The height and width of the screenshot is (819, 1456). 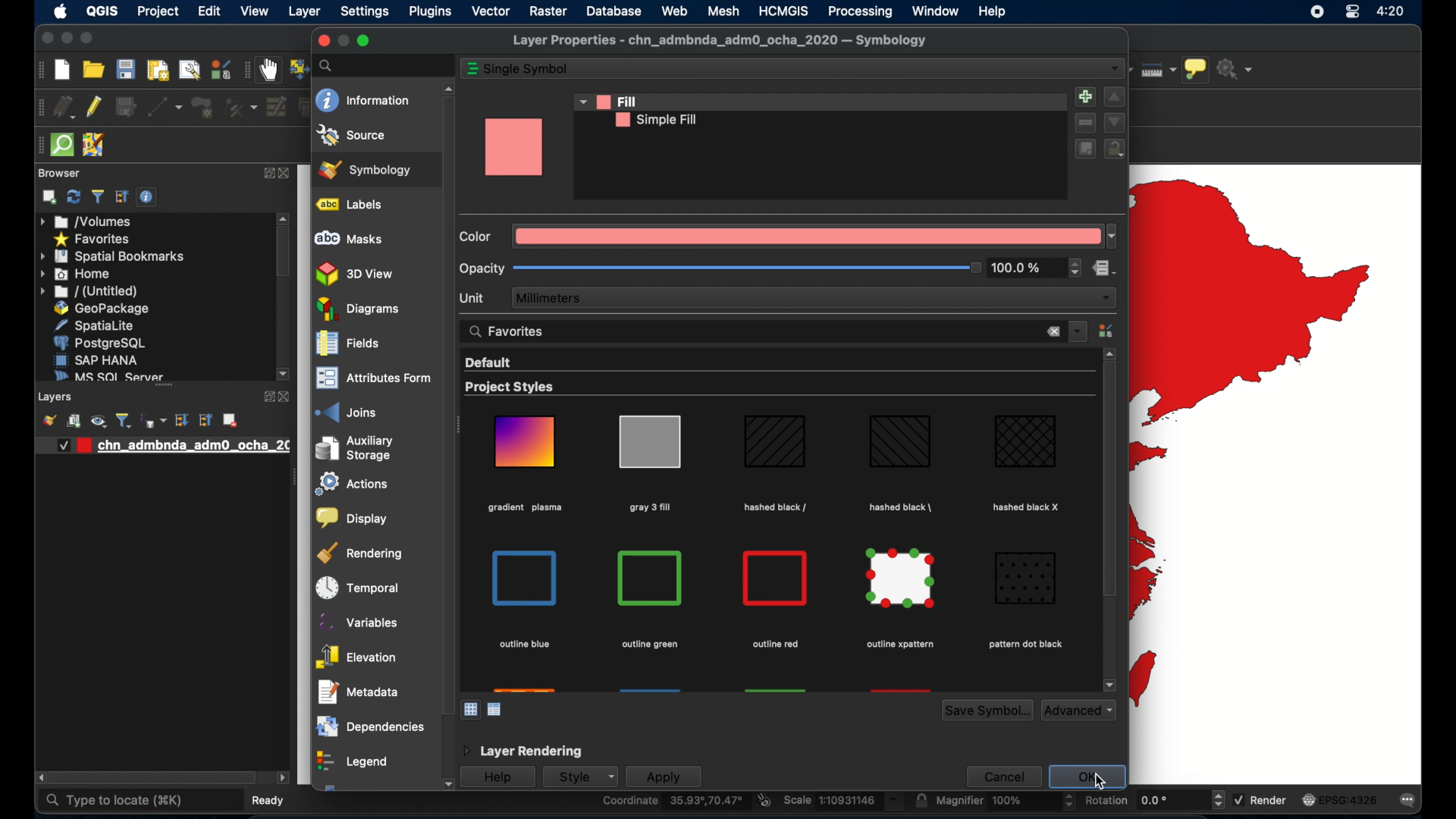 What do you see at coordinates (87, 291) in the screenshot?
I see `untitled menu` at bounding box center [87, 291].